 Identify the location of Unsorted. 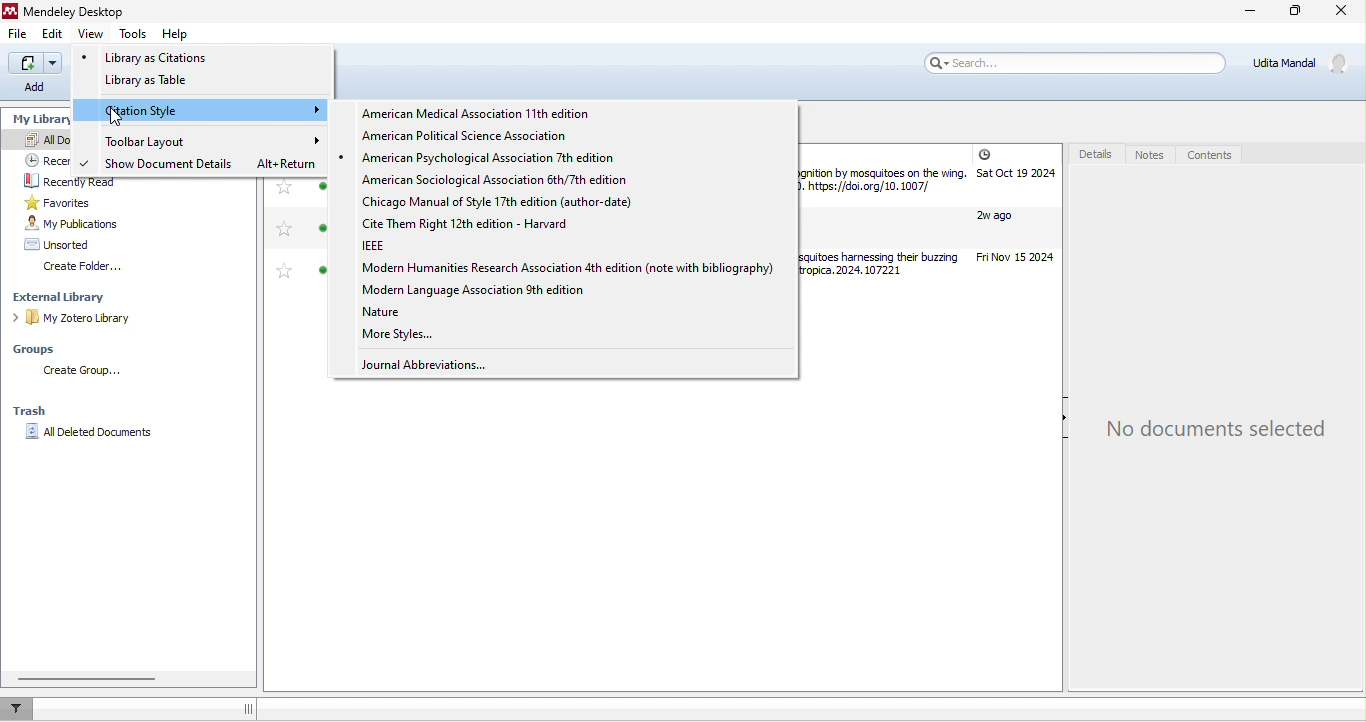
(70, 245).